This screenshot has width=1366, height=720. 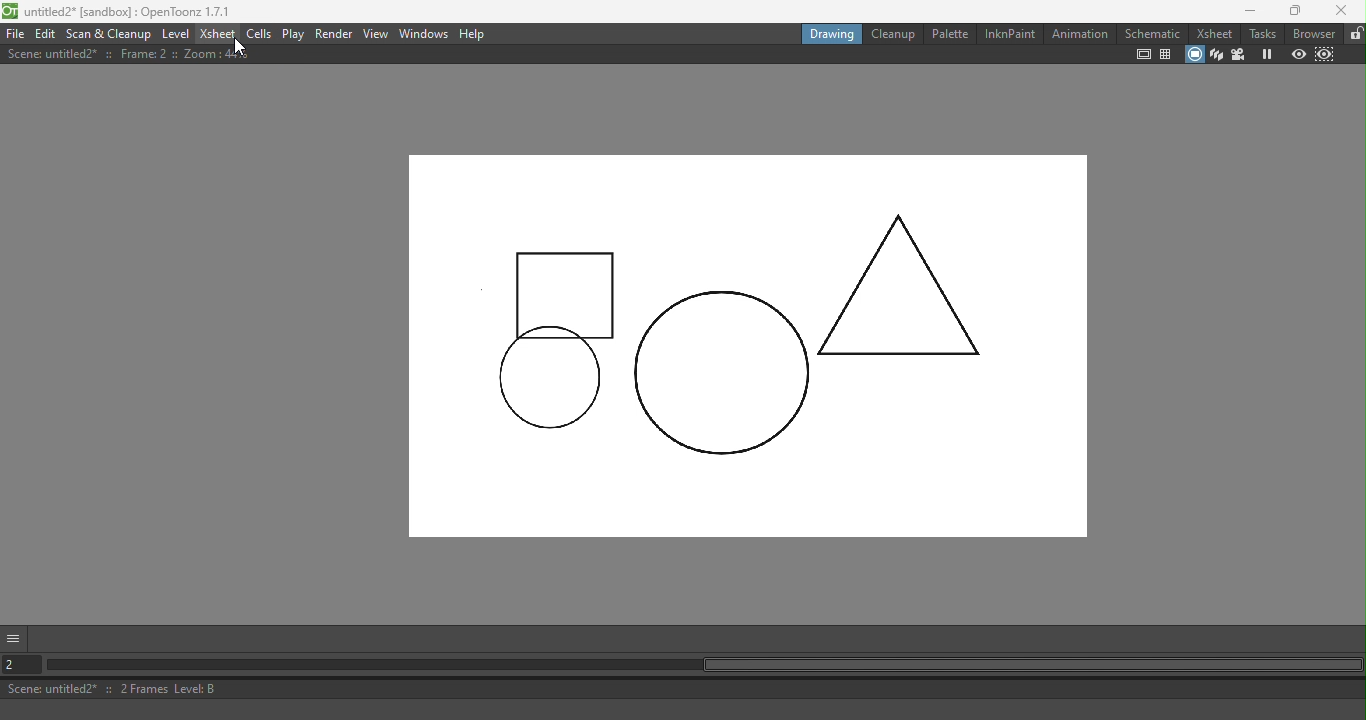 I want to click on Lock rooms tab, so click(x=1354, y=34).